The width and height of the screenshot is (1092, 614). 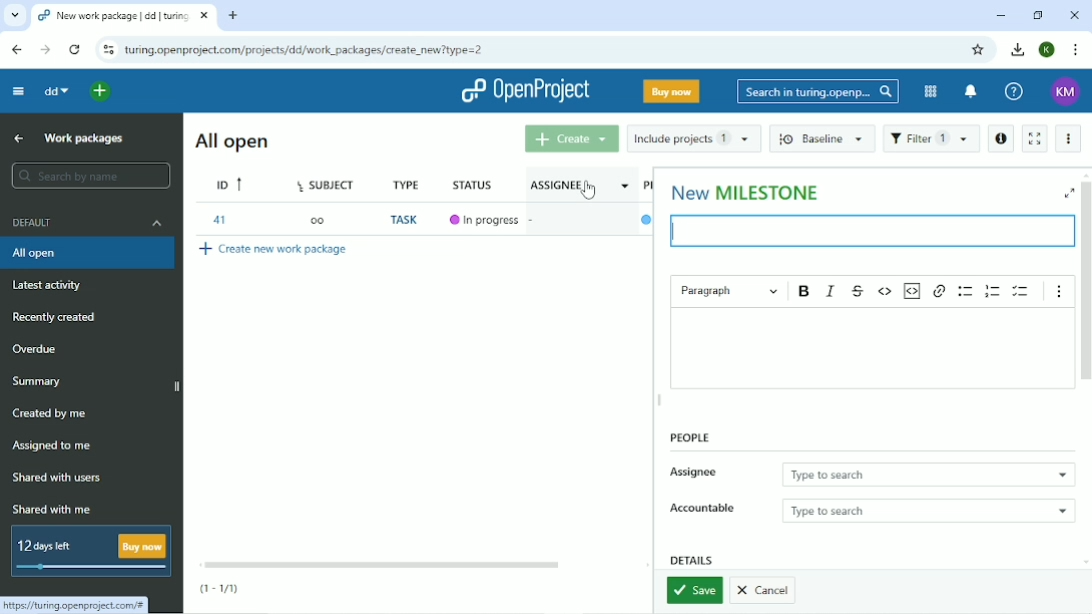 I want to click on Back, so click(x=16, y=50).